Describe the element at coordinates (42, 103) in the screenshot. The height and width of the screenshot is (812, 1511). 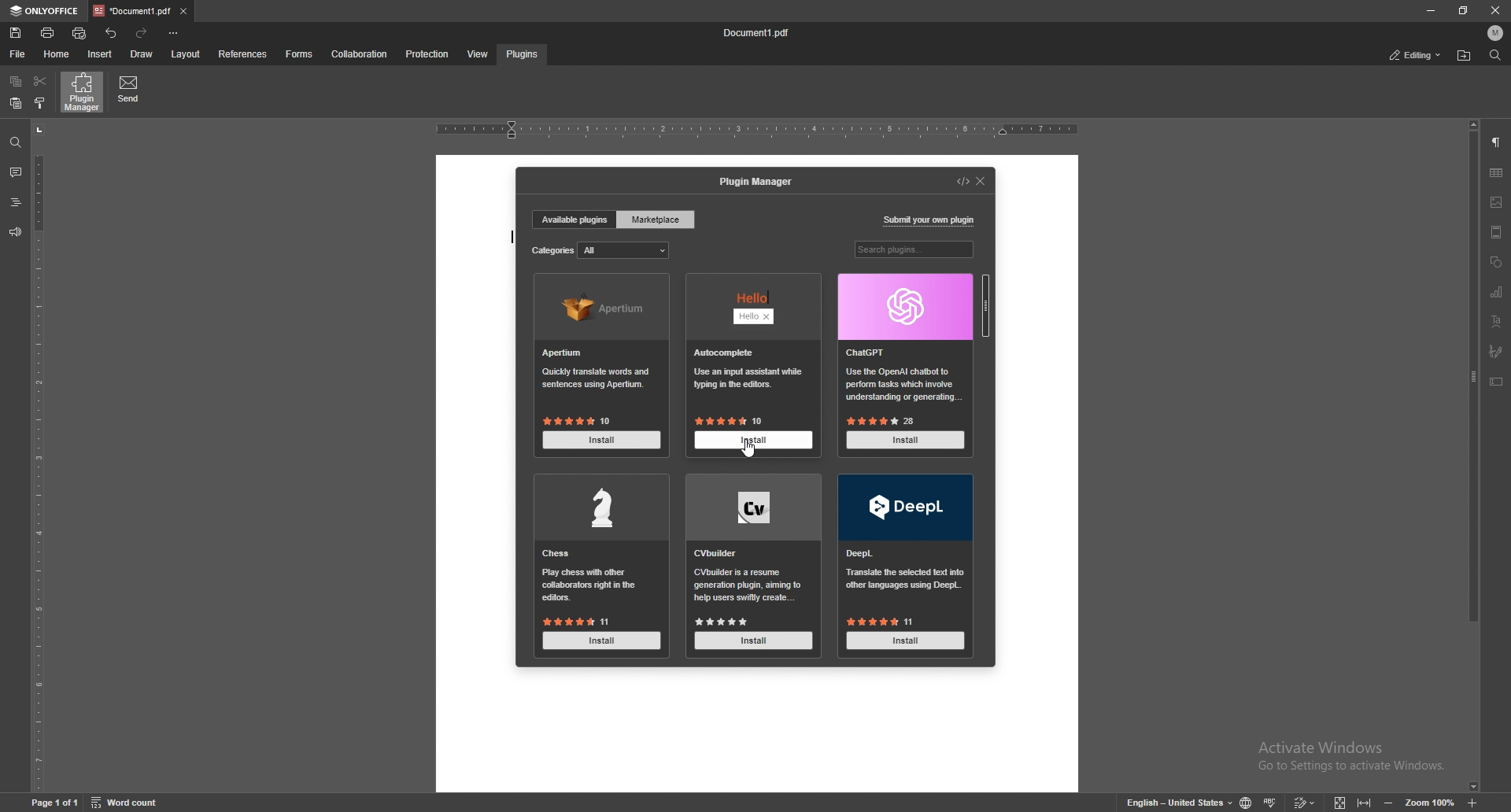
I see `copy style` at that location.